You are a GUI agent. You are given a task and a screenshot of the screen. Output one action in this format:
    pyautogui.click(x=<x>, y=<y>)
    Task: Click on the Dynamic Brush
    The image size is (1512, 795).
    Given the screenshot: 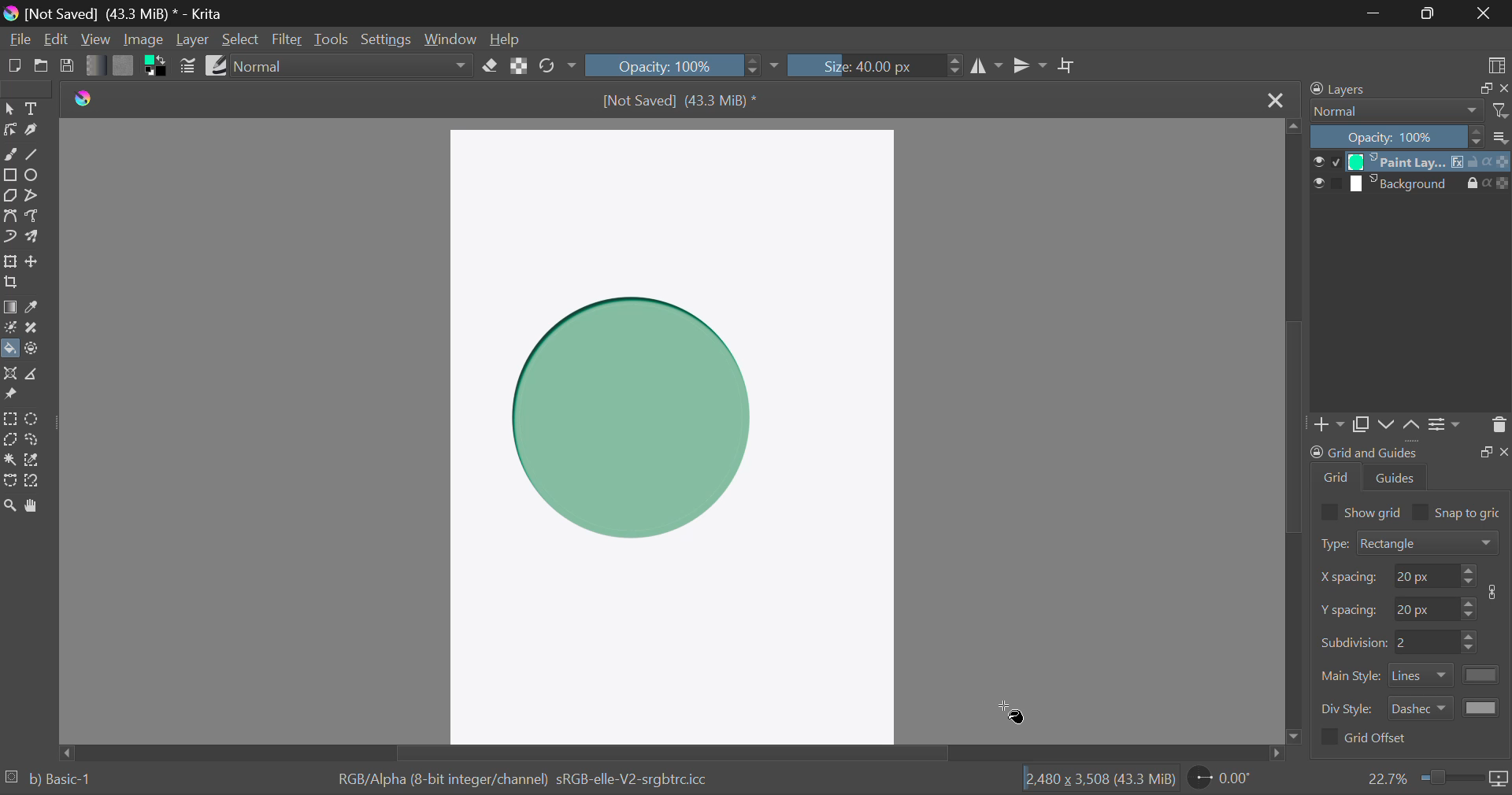 What is the action you would take?
    pyautogui.click(x=10, y=238)
    